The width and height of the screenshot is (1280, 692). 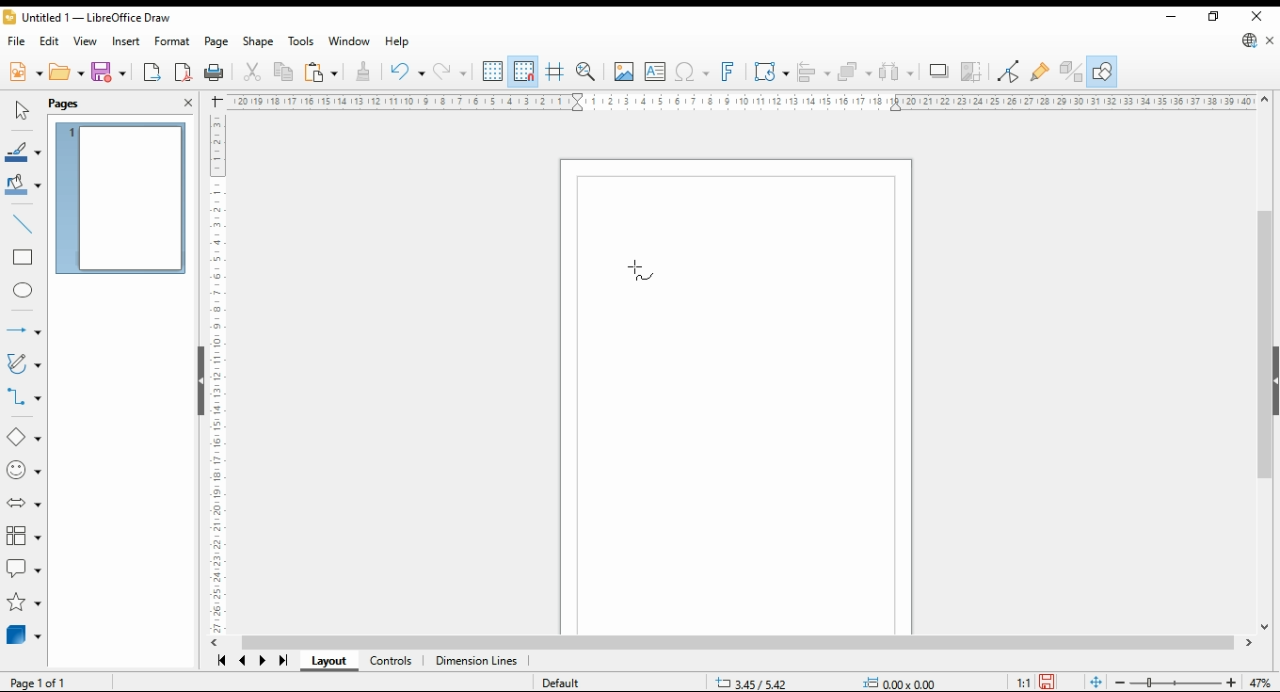 I want to click on select, so click(x=21, y=108).